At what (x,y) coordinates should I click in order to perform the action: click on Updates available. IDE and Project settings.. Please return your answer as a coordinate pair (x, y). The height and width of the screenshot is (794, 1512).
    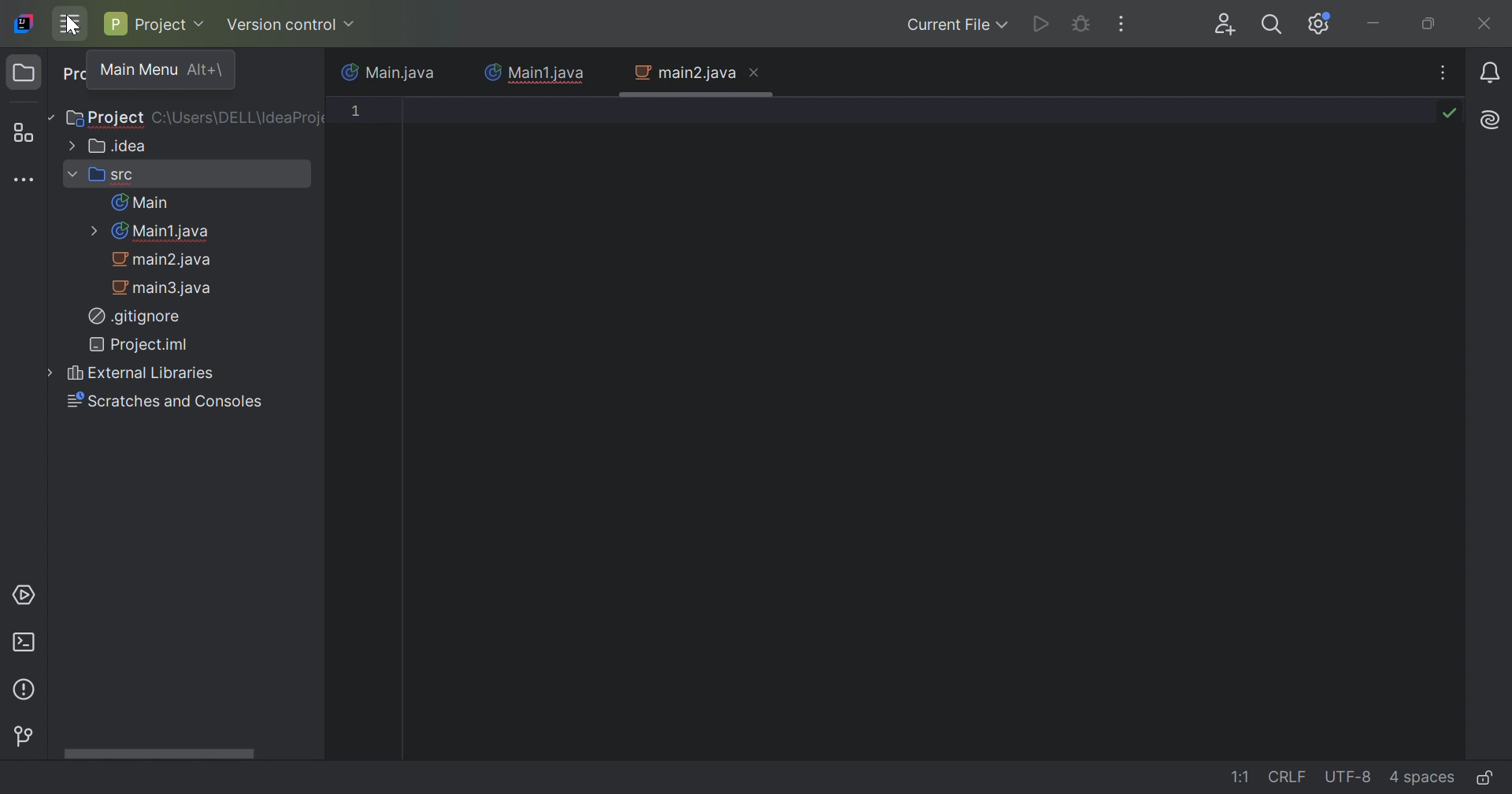
    Looking at the image, I should click on (1319, 24).